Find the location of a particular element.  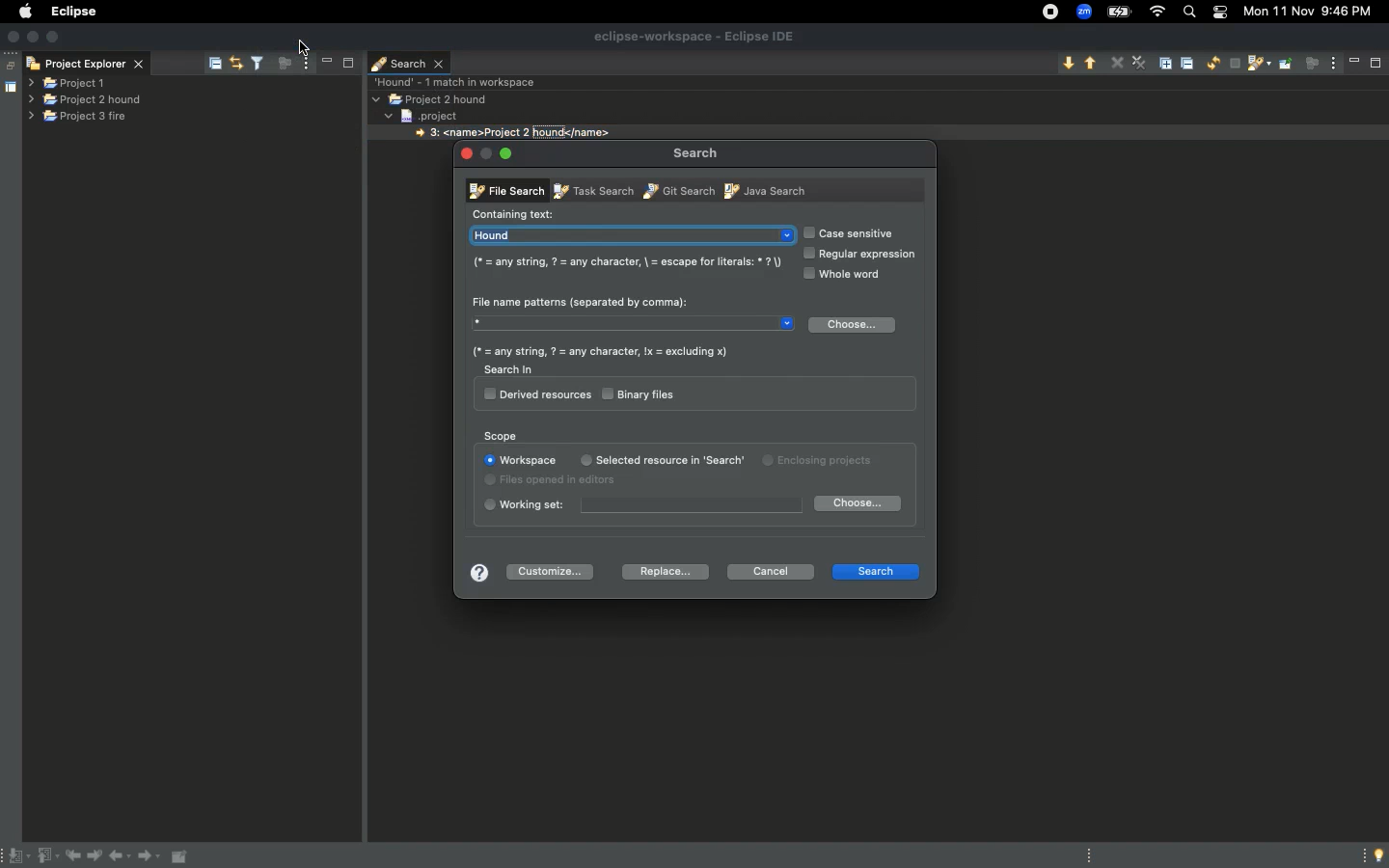

Show next match is located at coordinates (1067, 63).